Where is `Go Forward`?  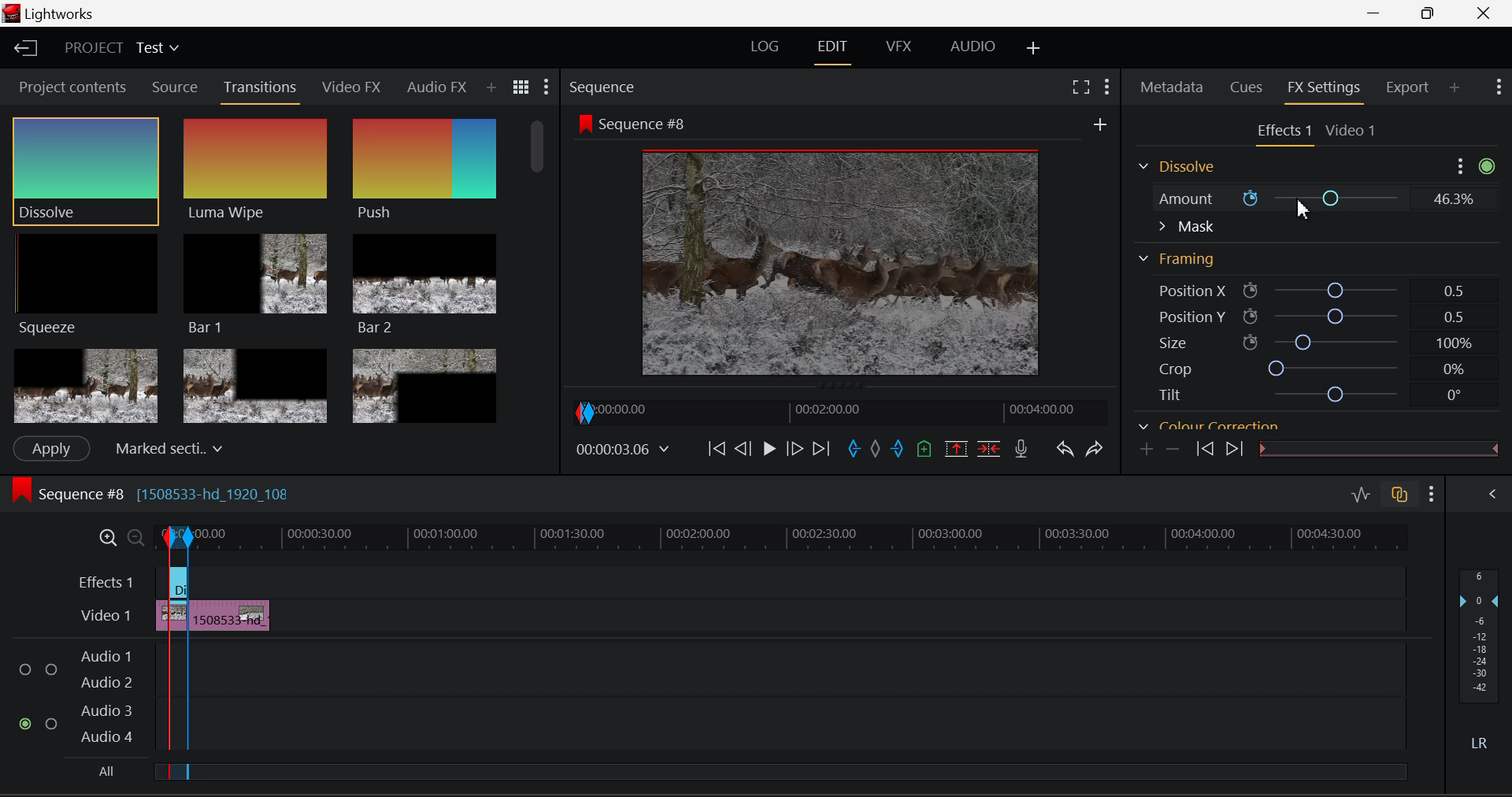
Go Forward is located at coordinates (795, 450).